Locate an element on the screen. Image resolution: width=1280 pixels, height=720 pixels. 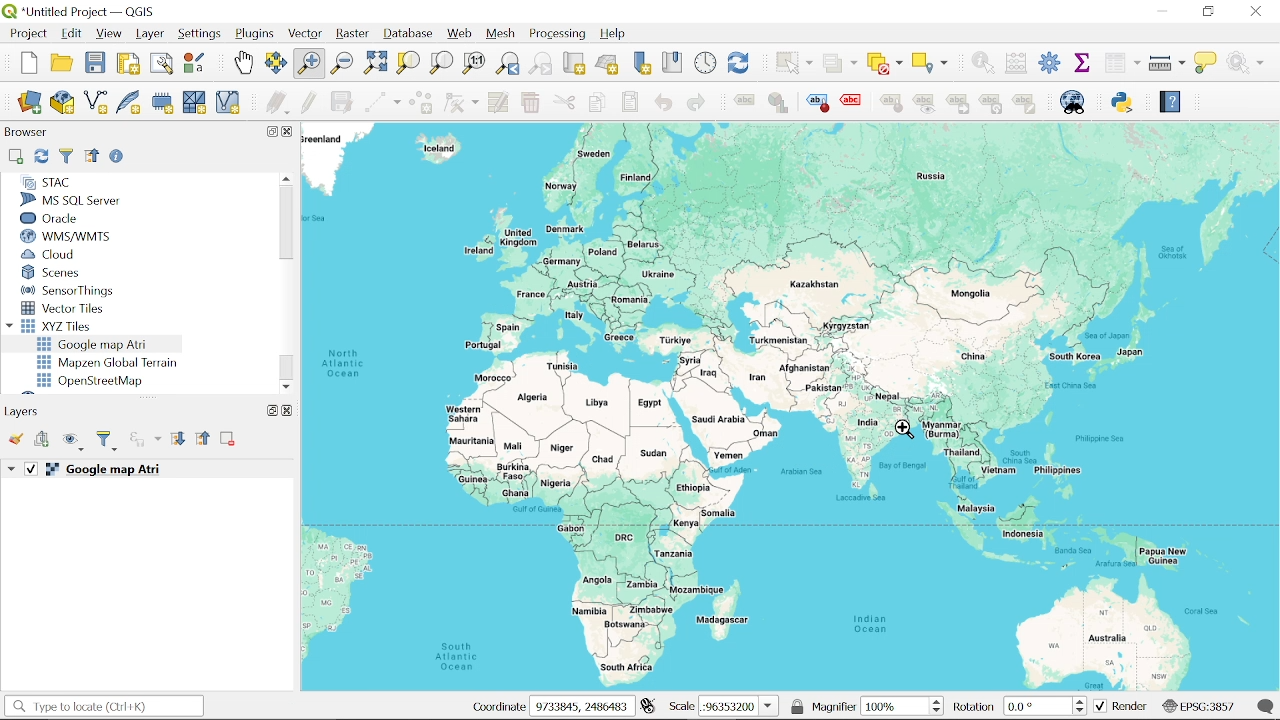
Delete selected is located at coordinates (529, 104).